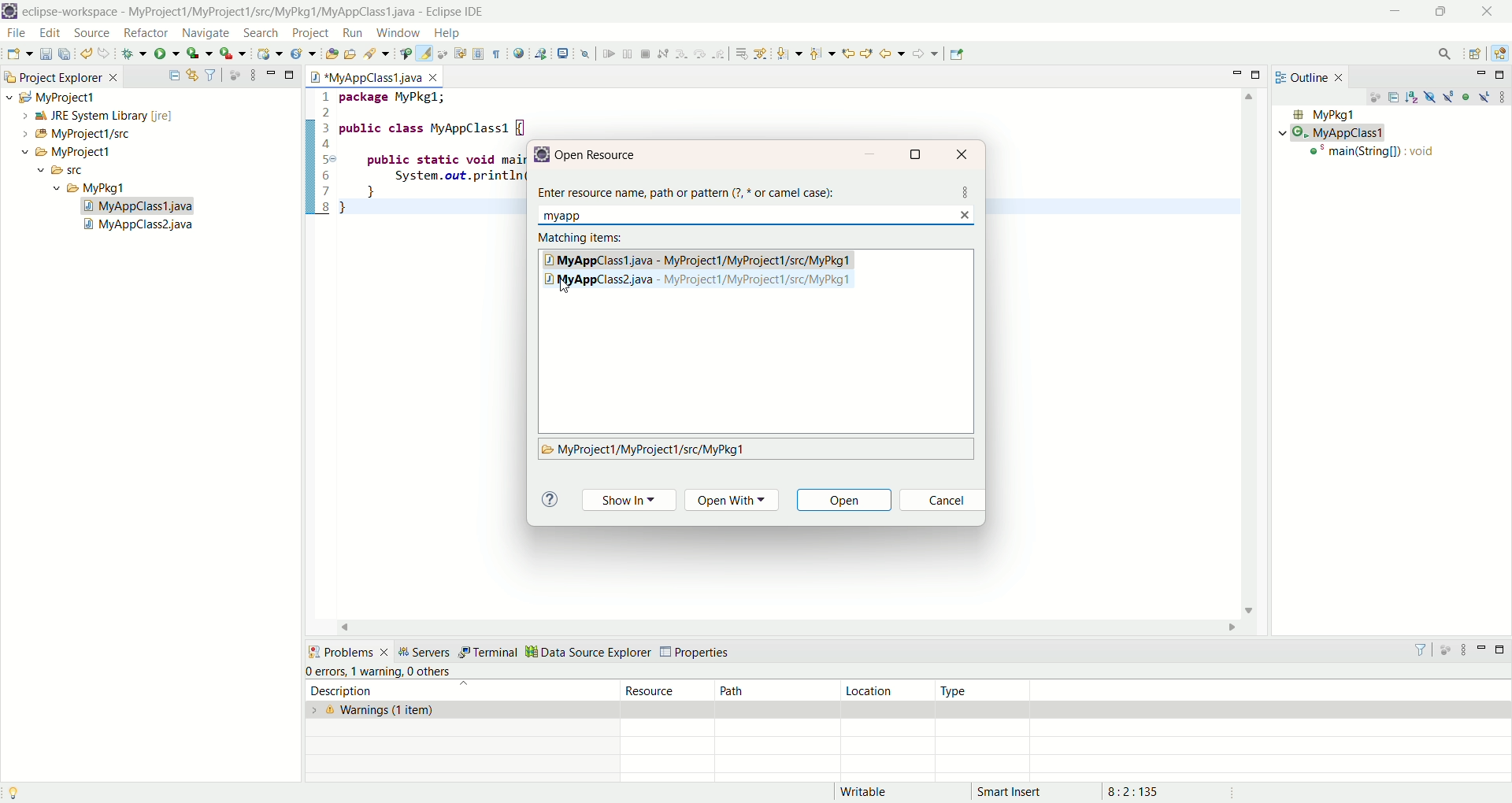 The height and width of the screenshot is (803, 1512). I want to click on undo, so click(88, 54).